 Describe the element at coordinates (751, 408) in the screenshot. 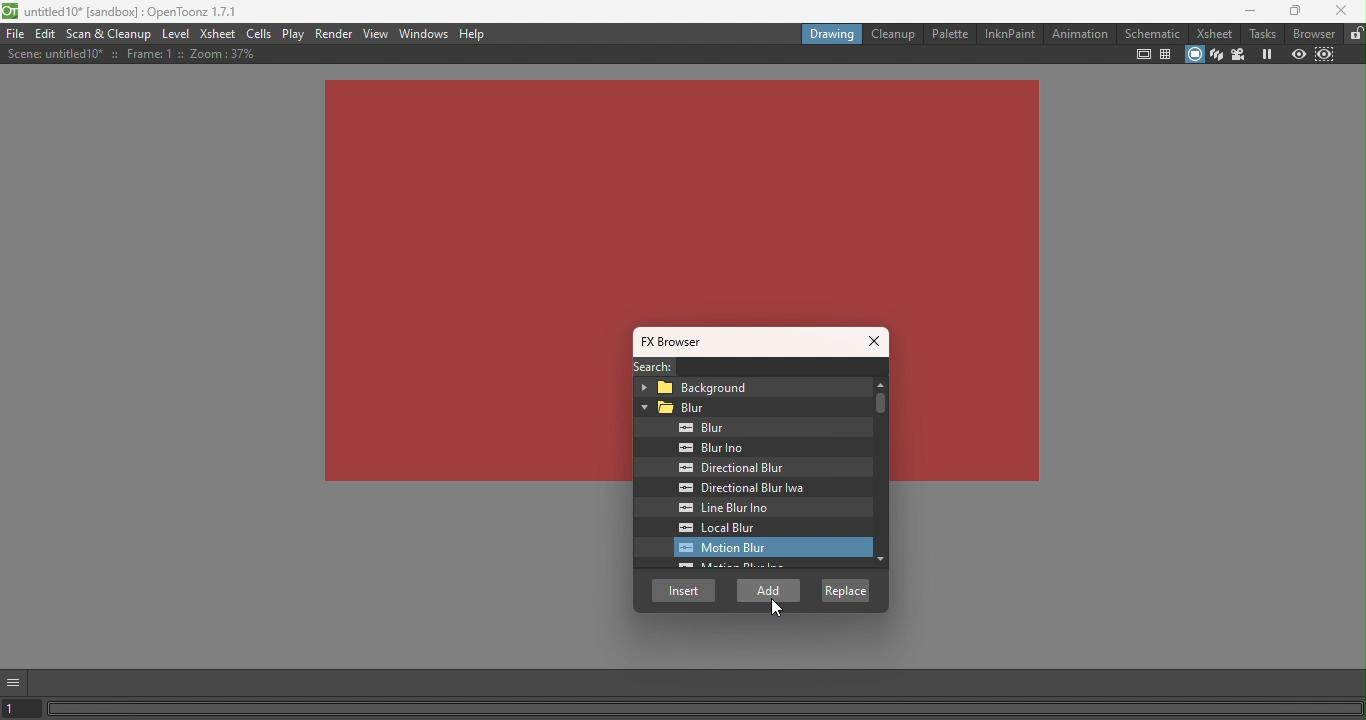

I see `Blur` at that location.